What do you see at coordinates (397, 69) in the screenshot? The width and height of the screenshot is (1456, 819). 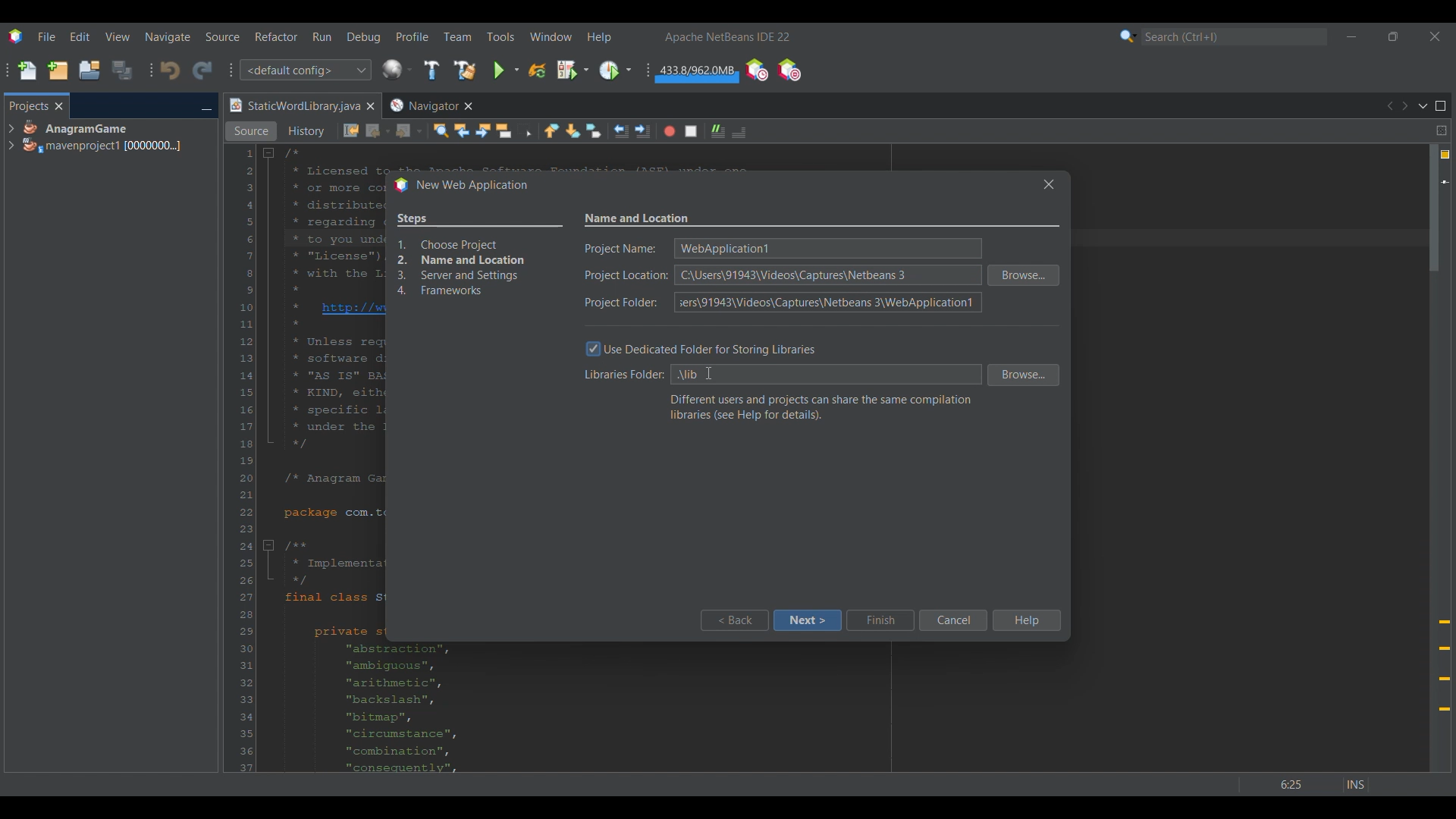 I see `Configure window` at bounding box center [397, 69].